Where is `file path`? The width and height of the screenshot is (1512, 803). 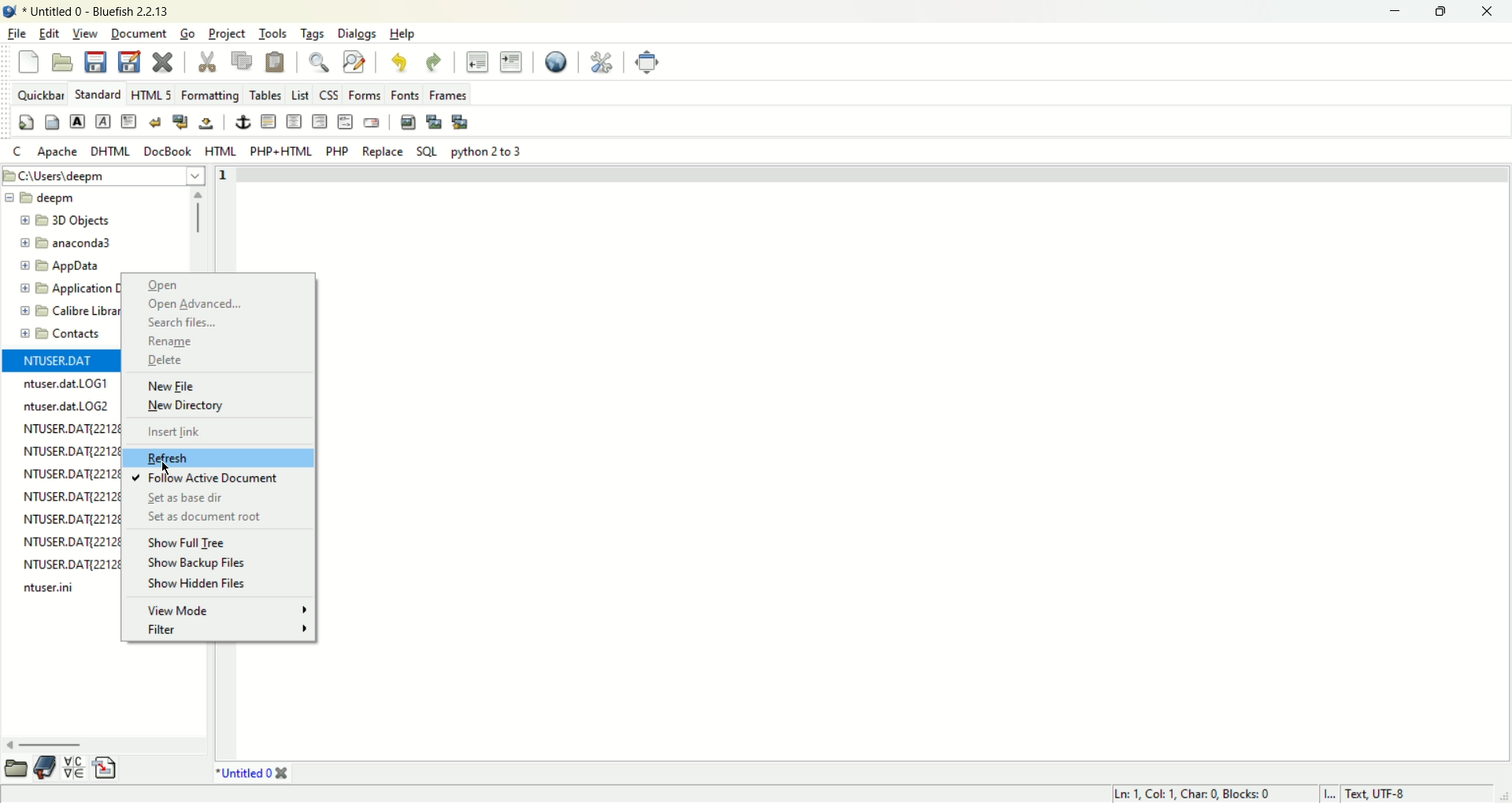
file path is located at coordinates (105, 175).